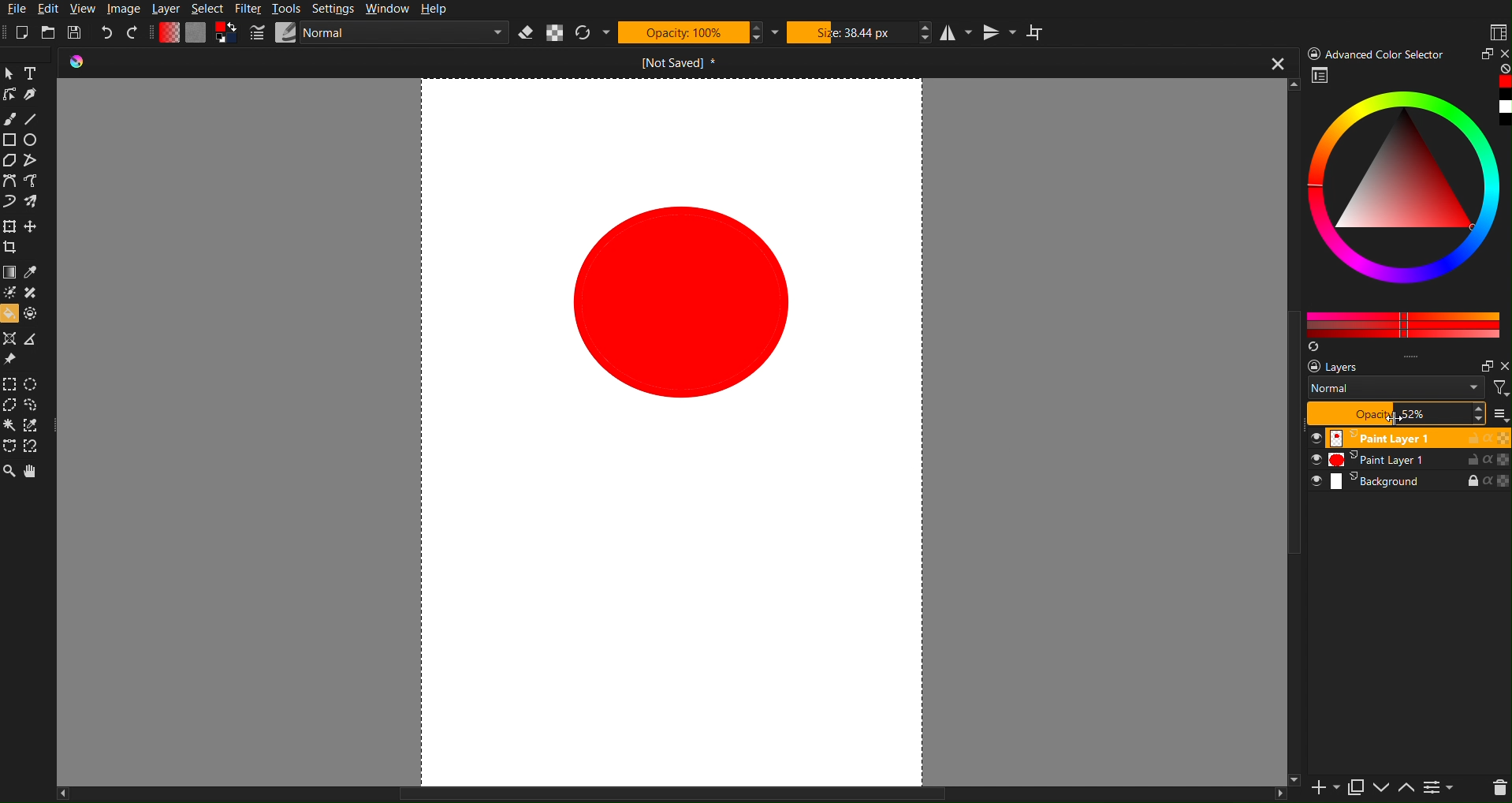 This screenshot has height=803, width=1512. What do you see at coordinates (9, 406) in the screenshot?
I see `Polygonal` at bounding box center [9, 406].